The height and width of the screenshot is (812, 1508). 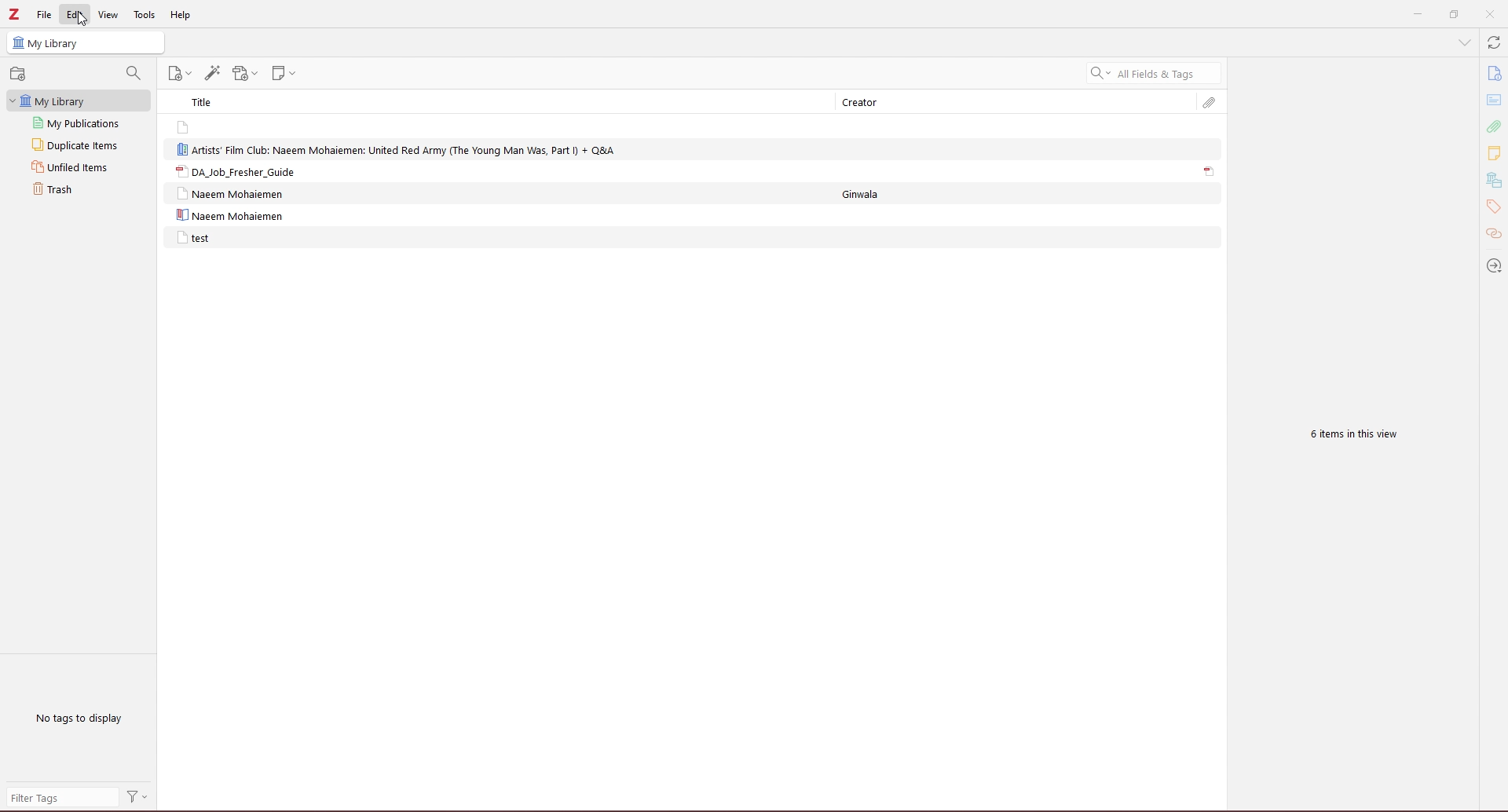 I want to click on note, so click(x=227, y=126).